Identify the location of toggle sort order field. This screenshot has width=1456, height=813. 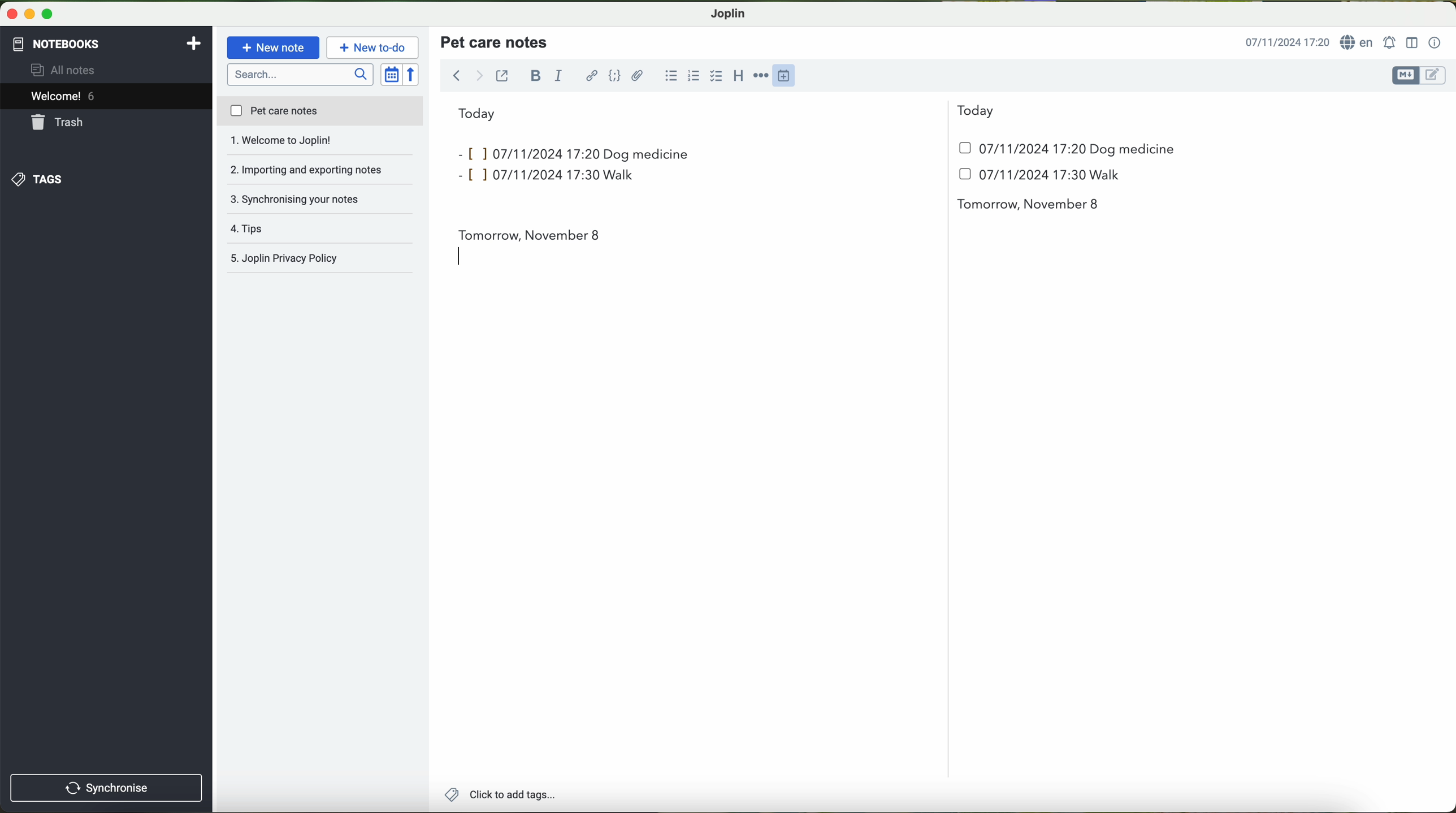
(392, 75).